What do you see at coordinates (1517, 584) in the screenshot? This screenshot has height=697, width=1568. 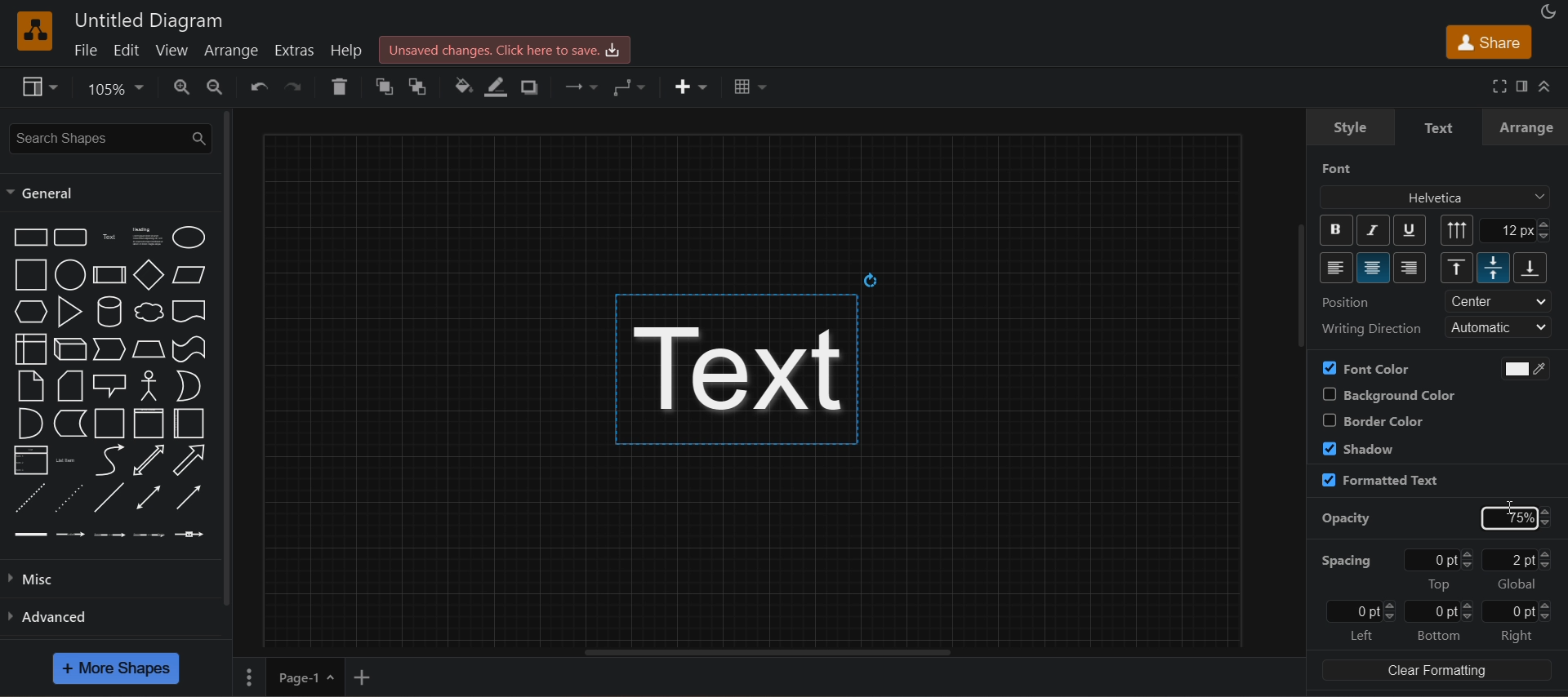 I see `global` at bounding box center [1517, 584].